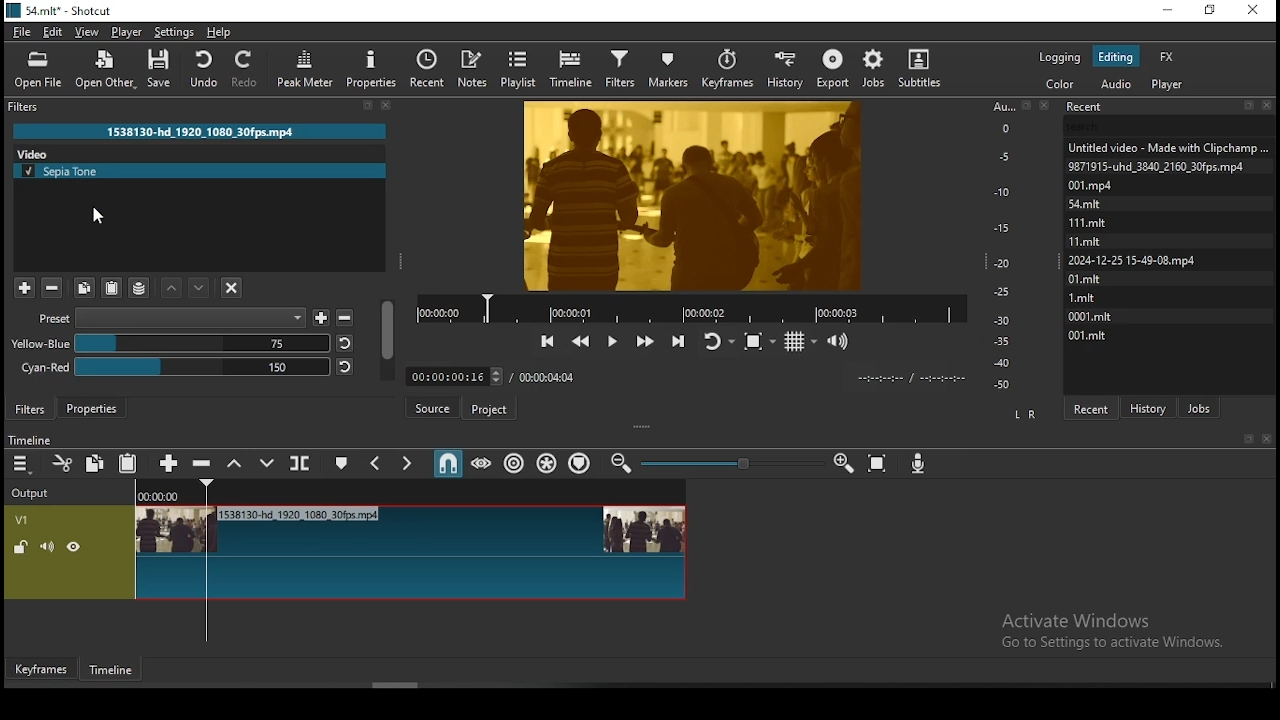 The image size is (1280, 720). What do you see at coordinates (42, 670) in the screenshot?
I see `keyframe` at bounding box center [42, 670].